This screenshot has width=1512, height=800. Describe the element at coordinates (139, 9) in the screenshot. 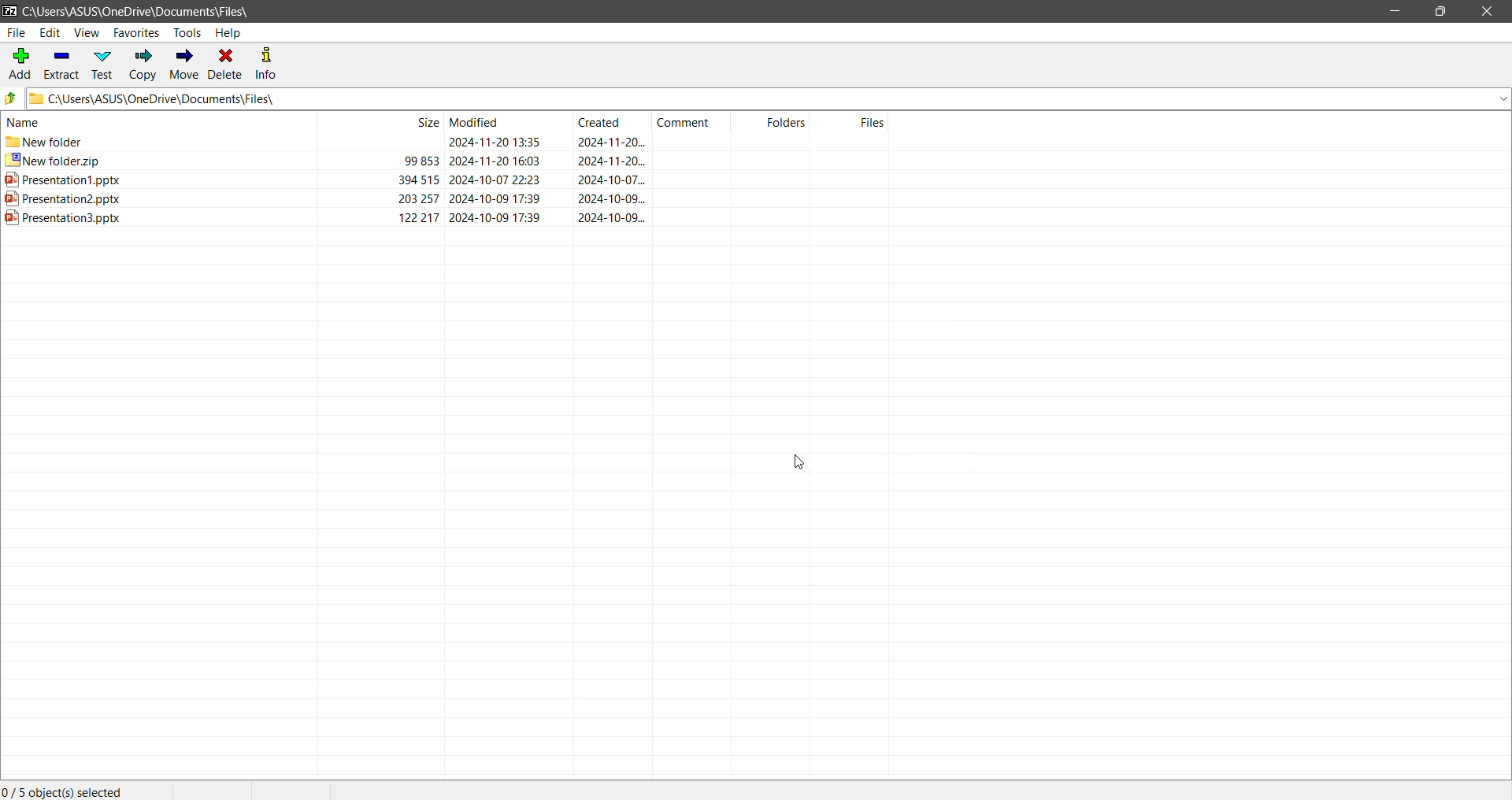

I see `Current Folder Path` at that location.